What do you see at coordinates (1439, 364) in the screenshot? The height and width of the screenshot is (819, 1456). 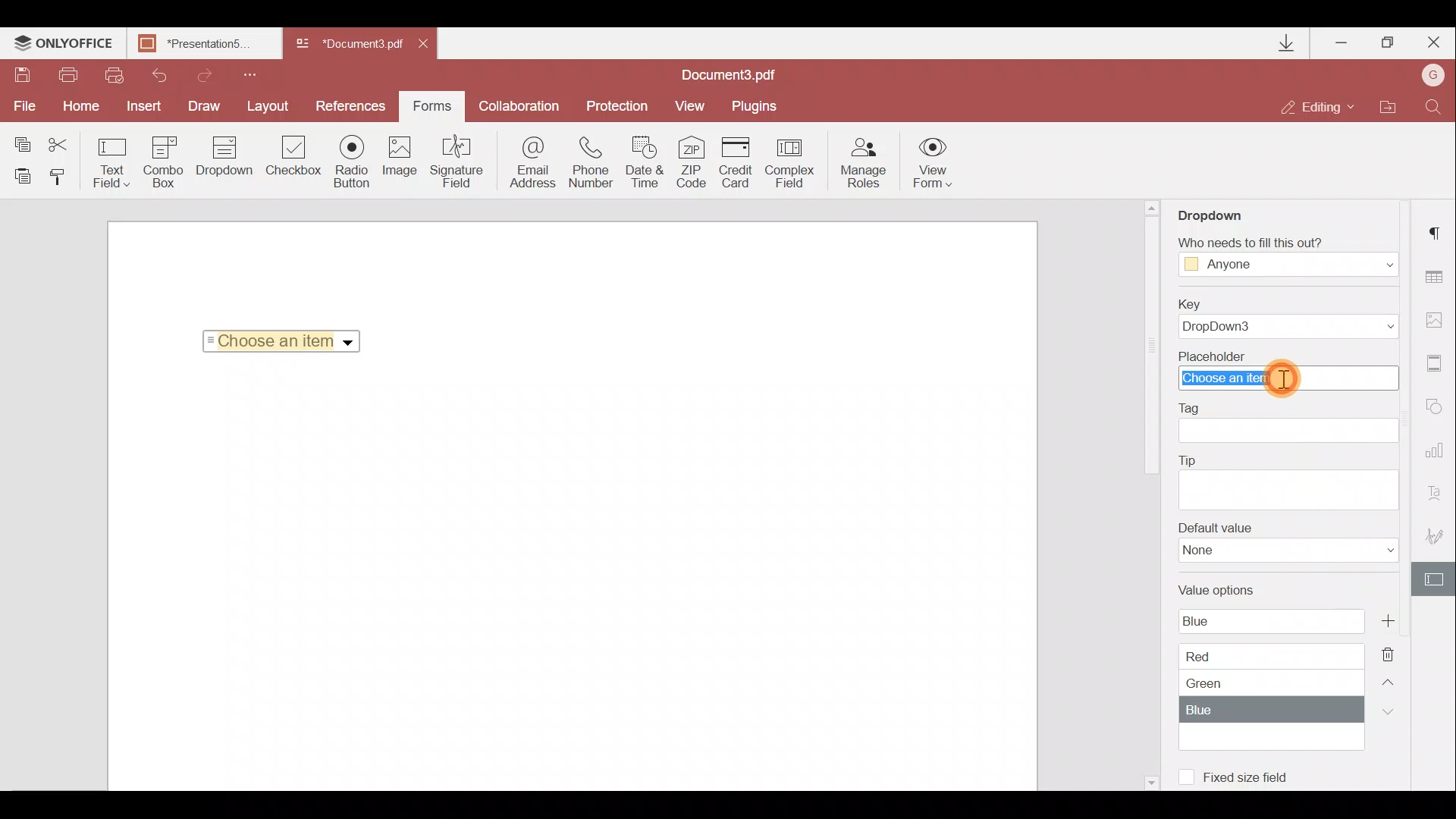 I see `Headers & footers settings` at bounding box center [1439, 364].